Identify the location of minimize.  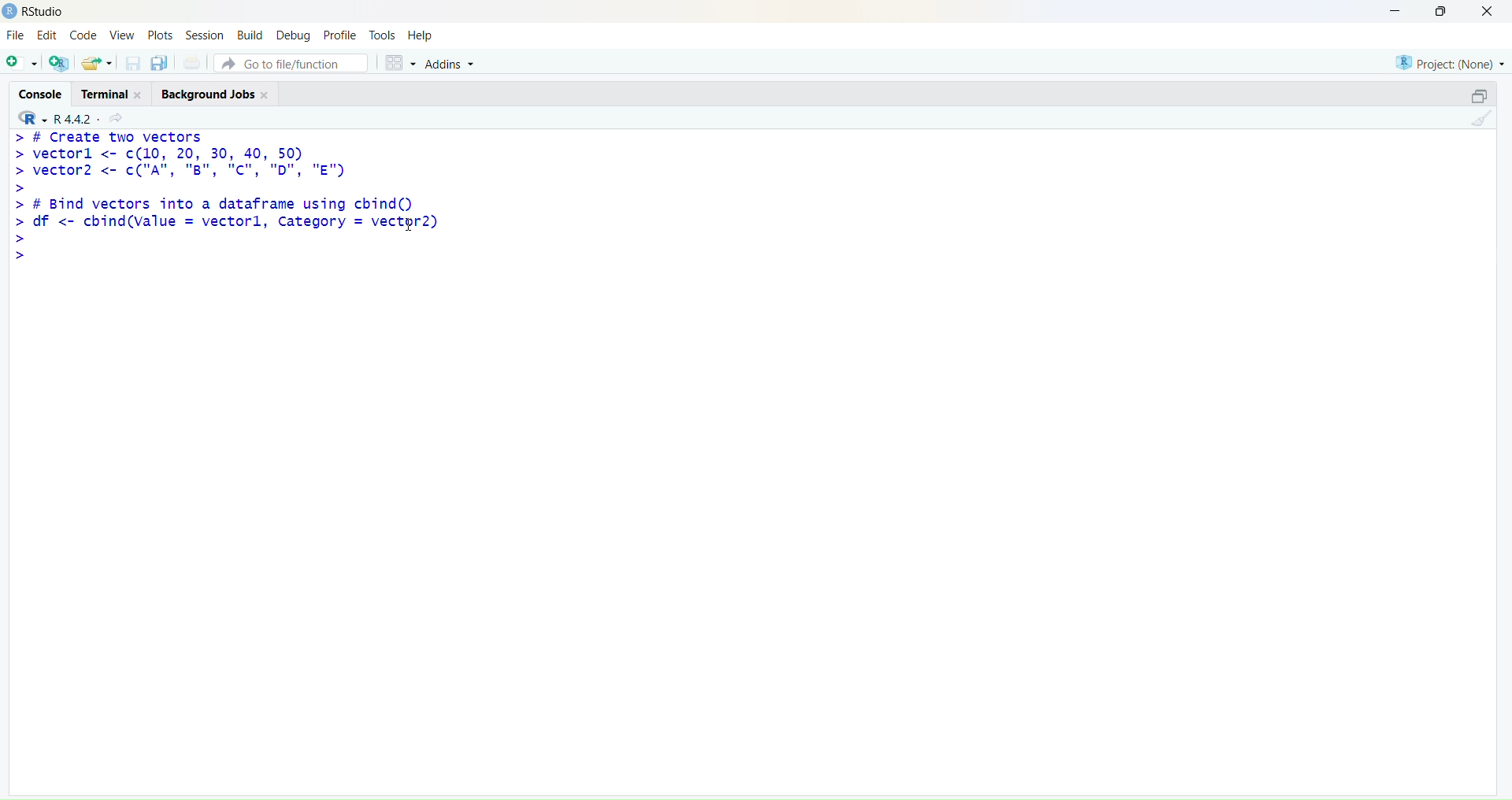
(1481, 97).